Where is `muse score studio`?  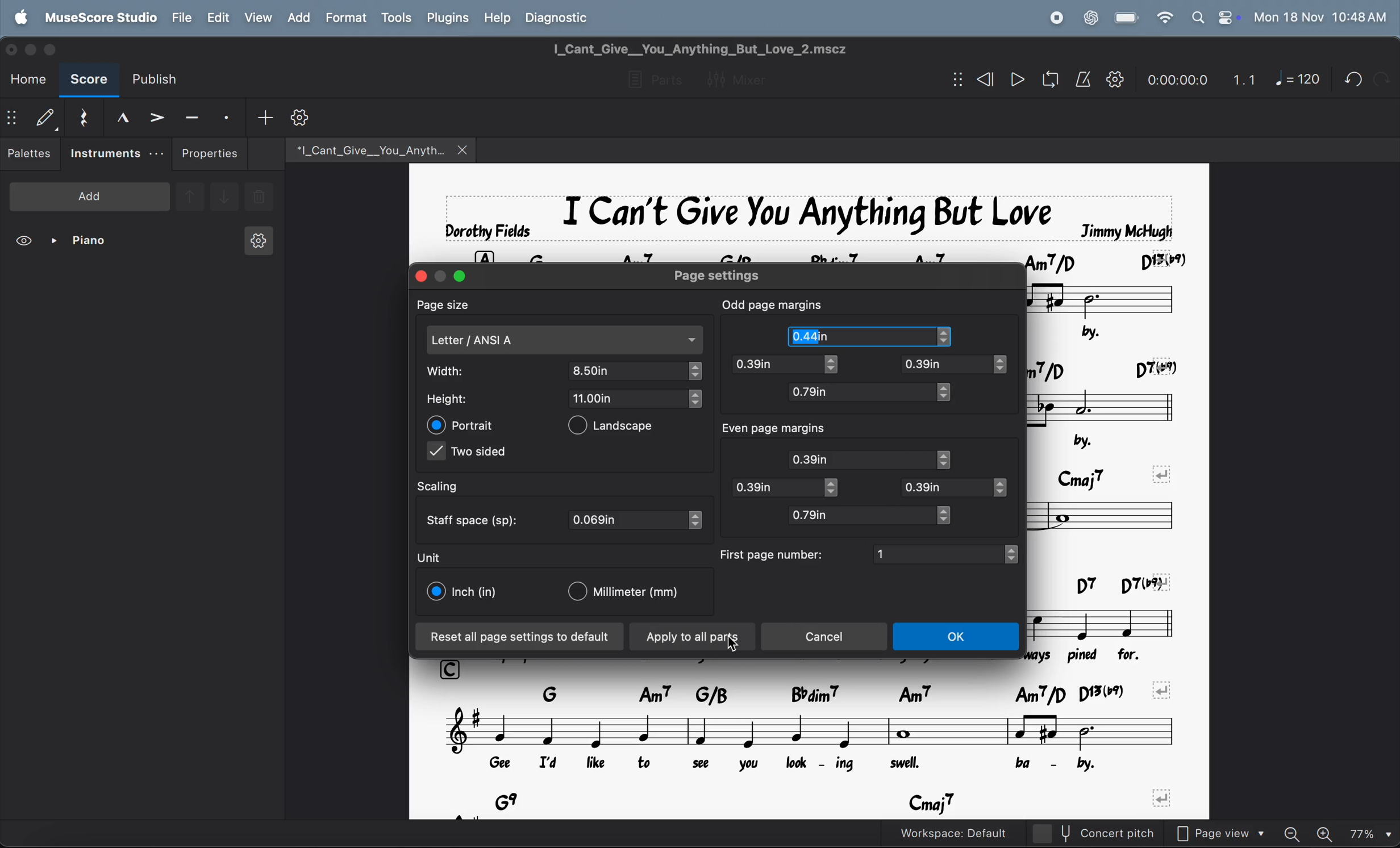
muse score studio is located at coordinates (100, 16).